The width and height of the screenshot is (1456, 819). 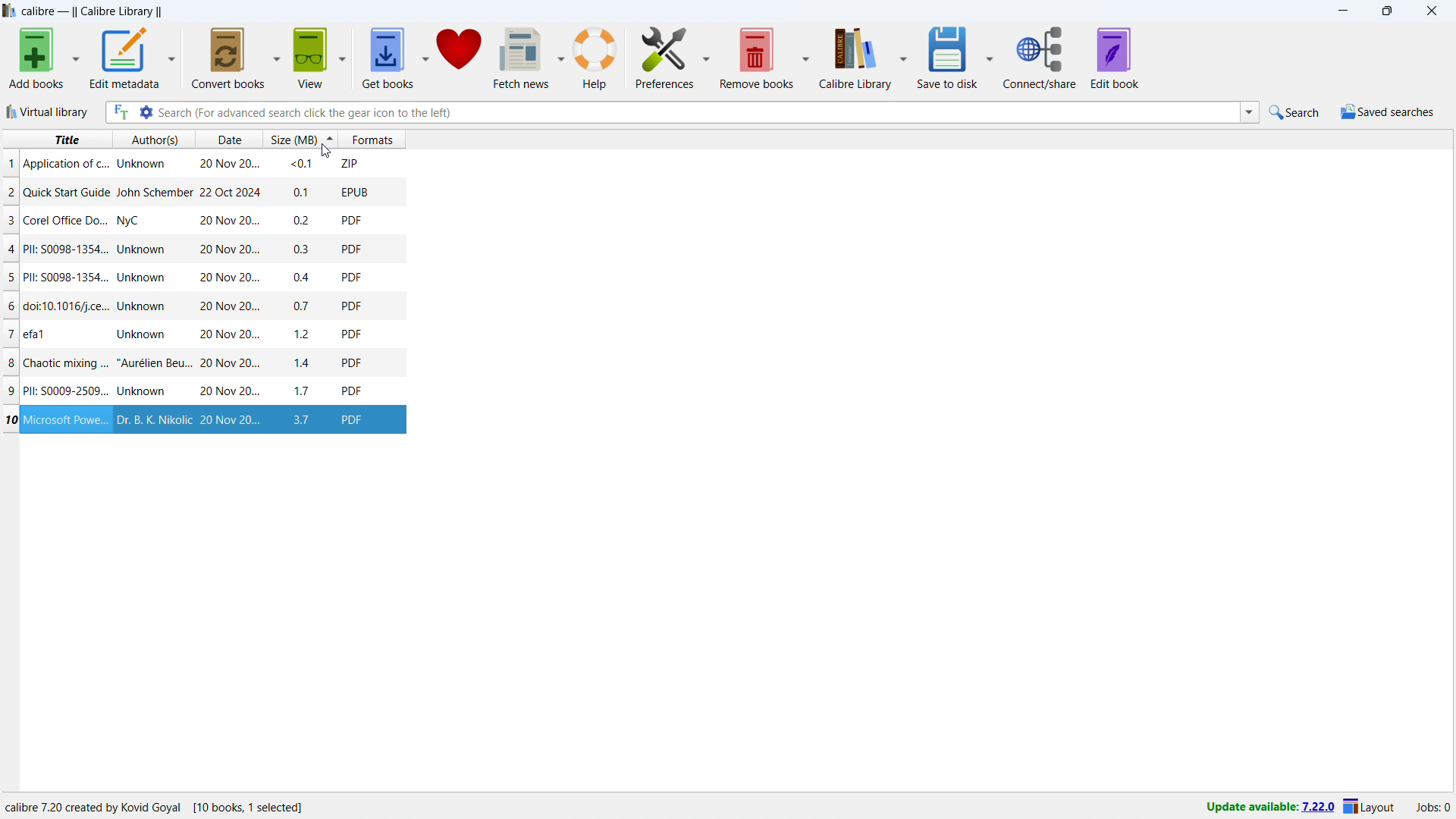 What do you see at coordinates (807, 57) in the screenshot?
I see `save to disk options` at bounding box center [807, 57].